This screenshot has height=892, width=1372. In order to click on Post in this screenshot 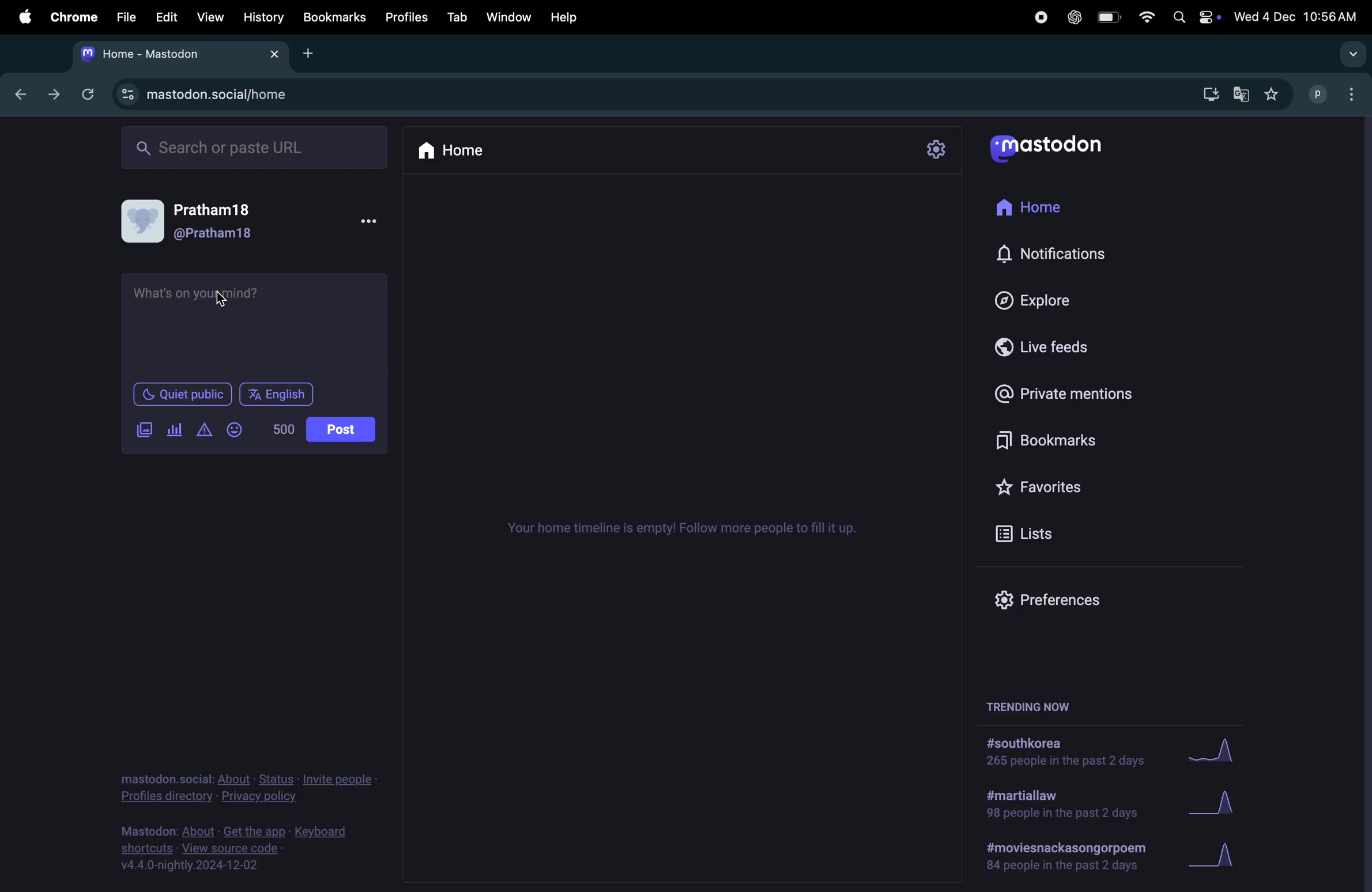, I will do `click(342, 428)`.